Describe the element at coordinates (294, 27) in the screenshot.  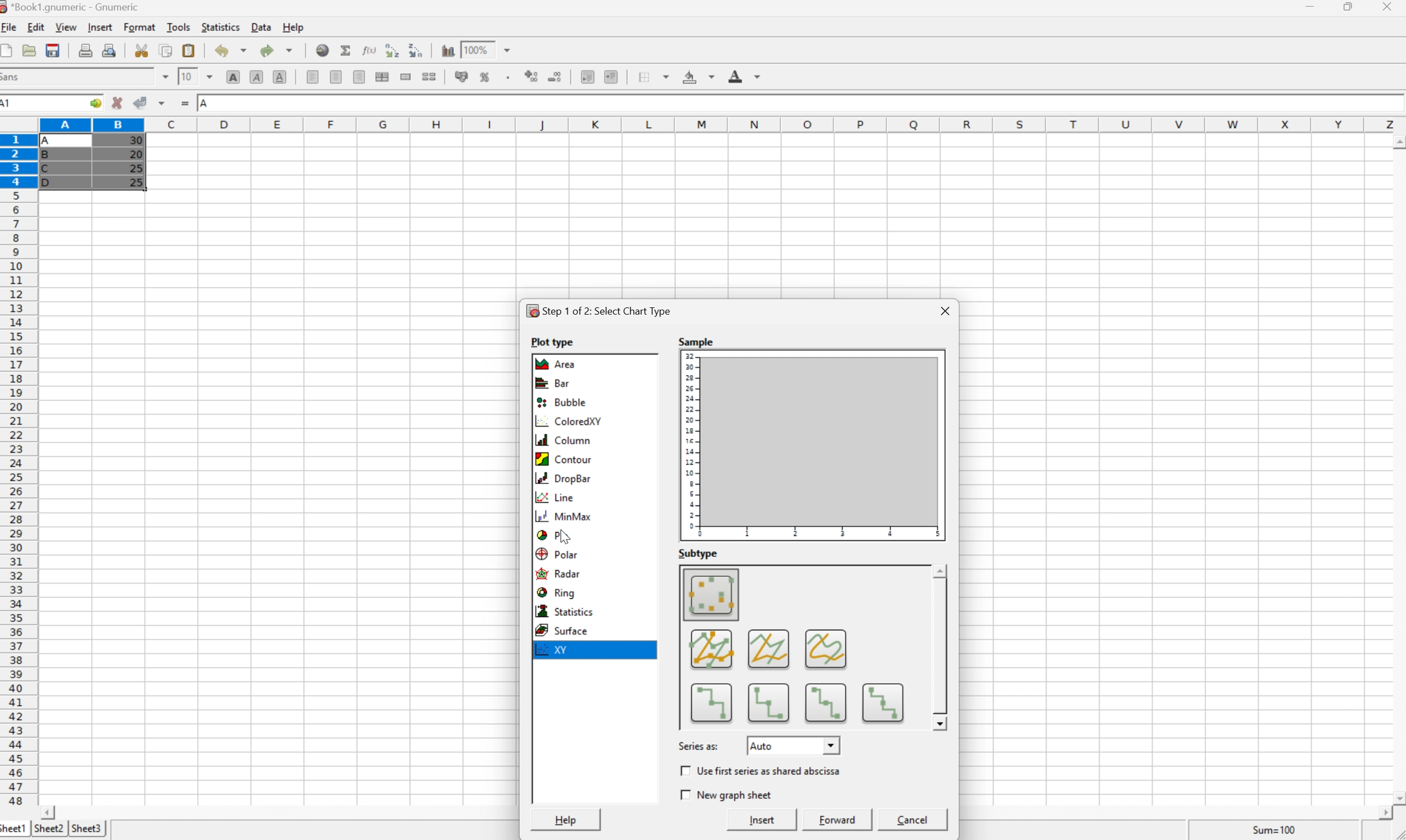
I see `Help` at that location.